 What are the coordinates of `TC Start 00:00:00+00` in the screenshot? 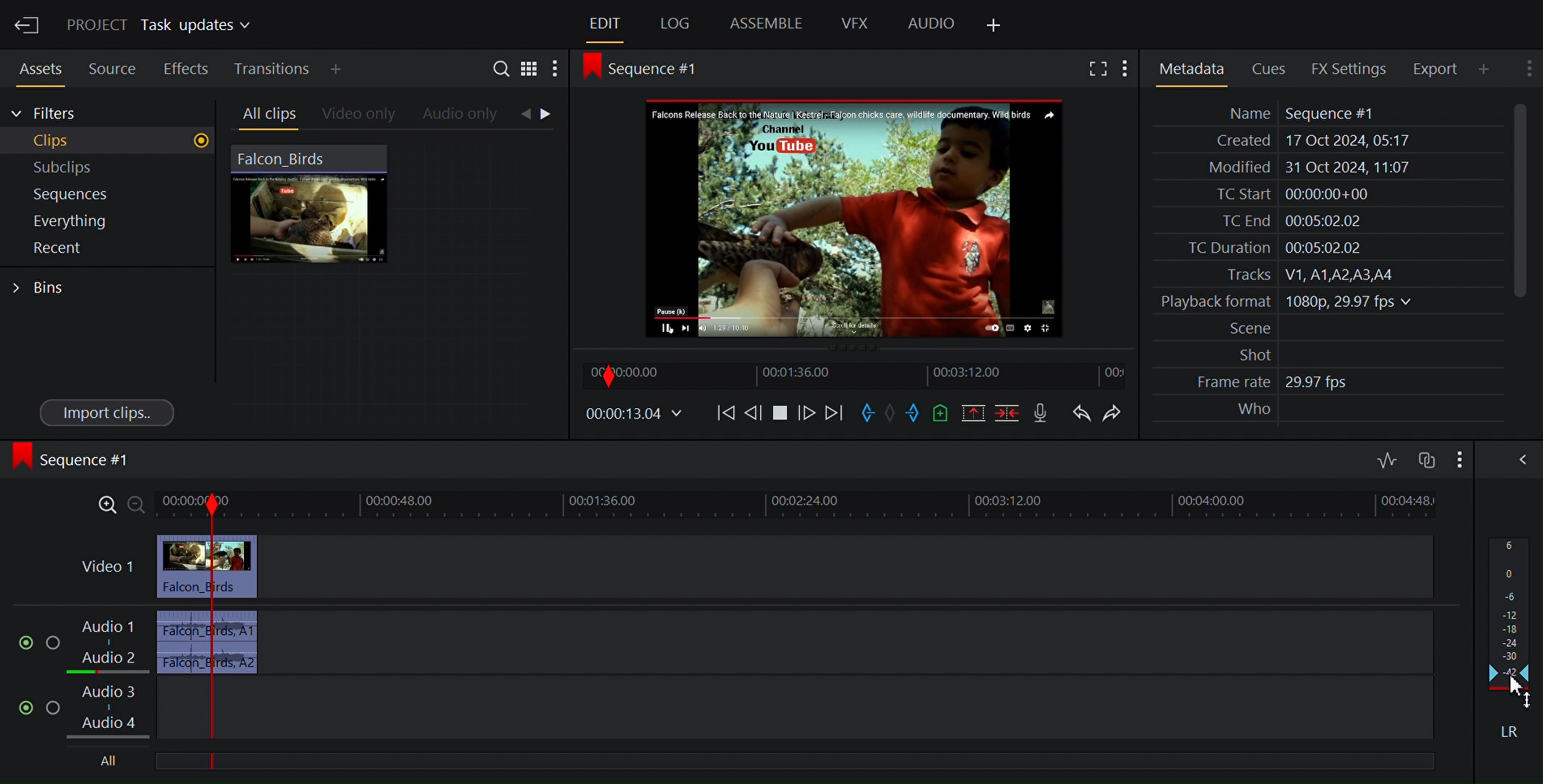 It's located at (1287, 194).